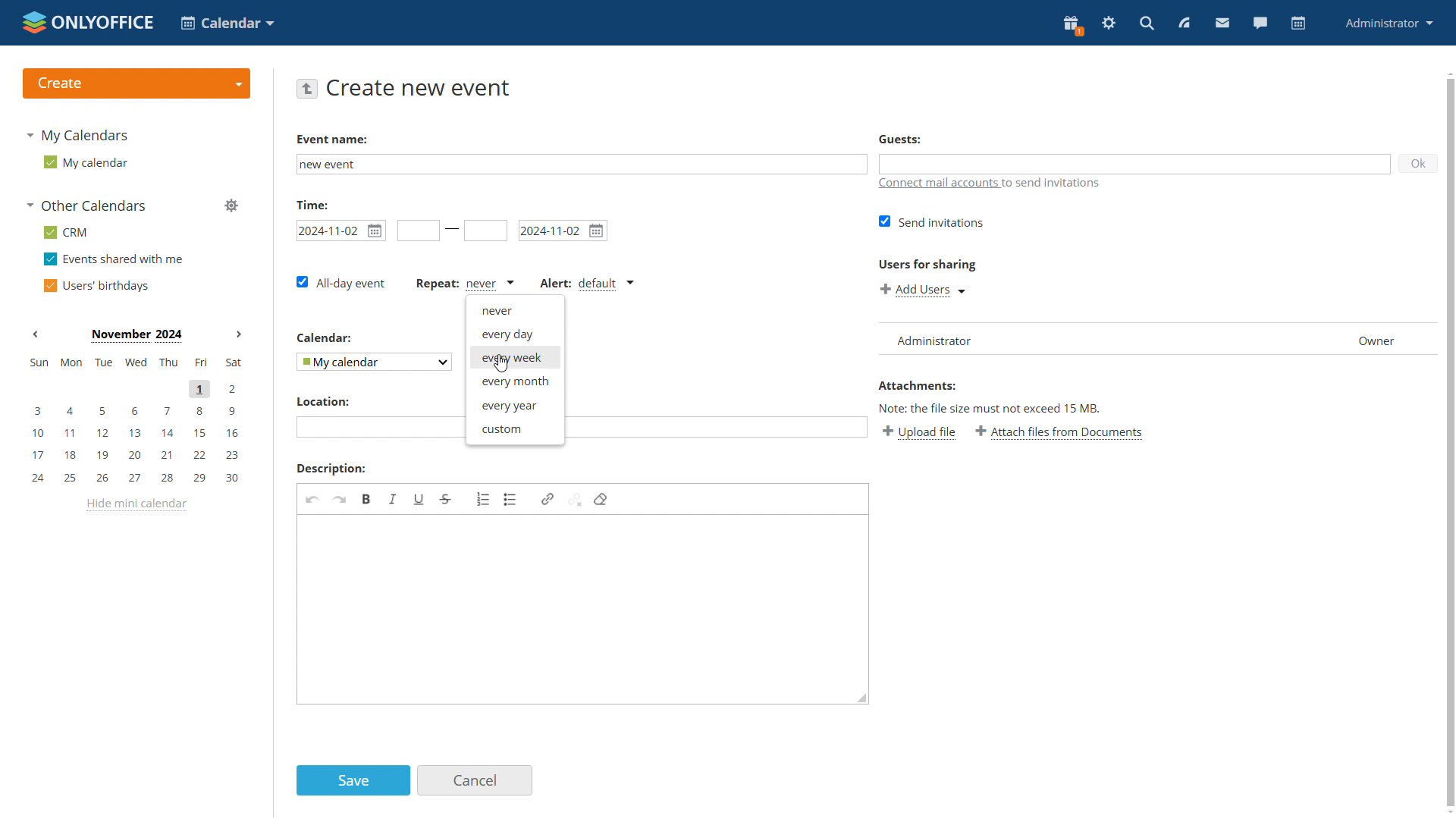  Describe the element at coordinates (375, 425) in the screenshot. I see `add location` at that location.